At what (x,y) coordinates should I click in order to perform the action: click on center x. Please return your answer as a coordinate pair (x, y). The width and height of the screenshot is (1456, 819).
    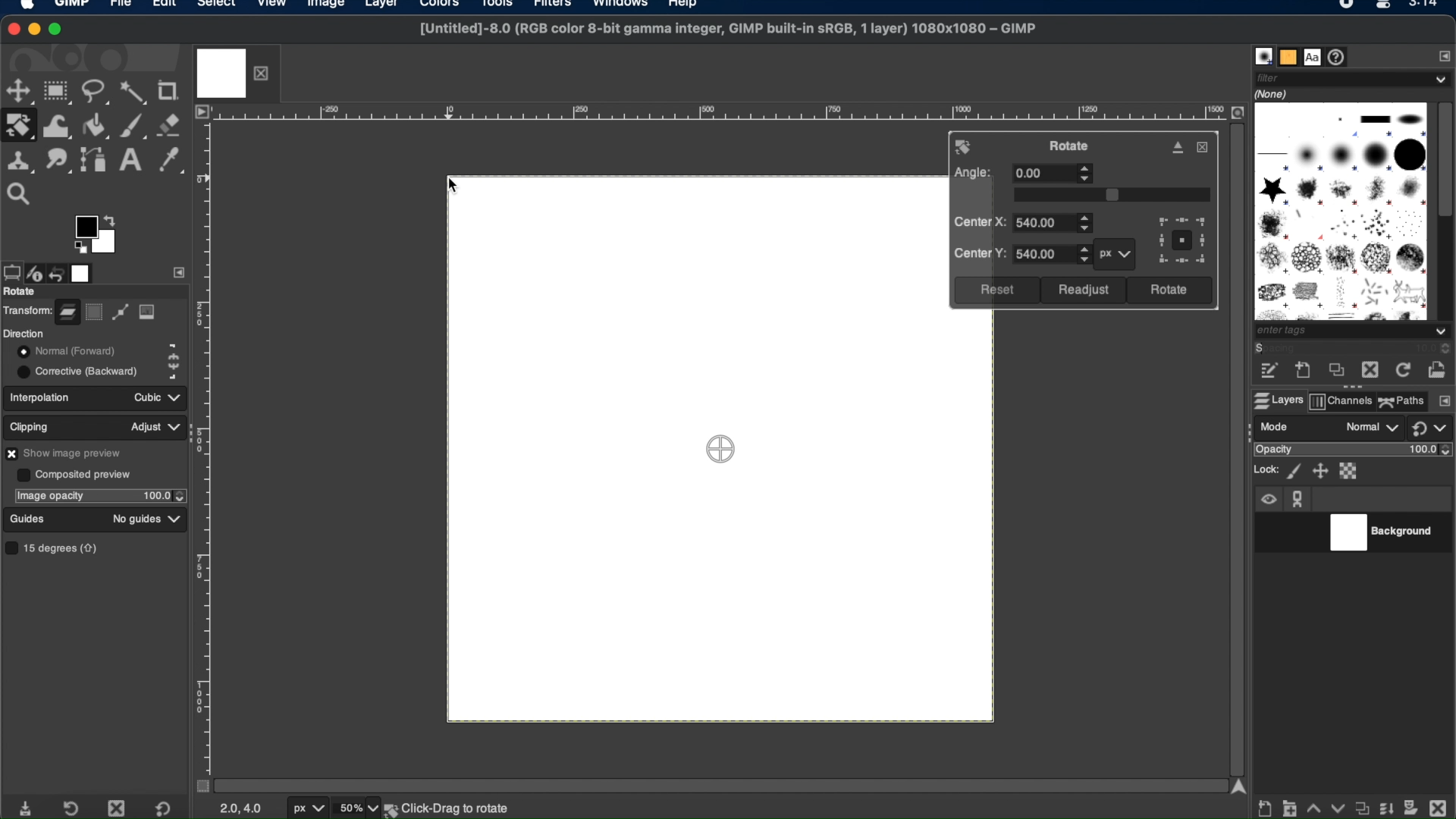
    Looking at the image, I should click on (1025, 223).